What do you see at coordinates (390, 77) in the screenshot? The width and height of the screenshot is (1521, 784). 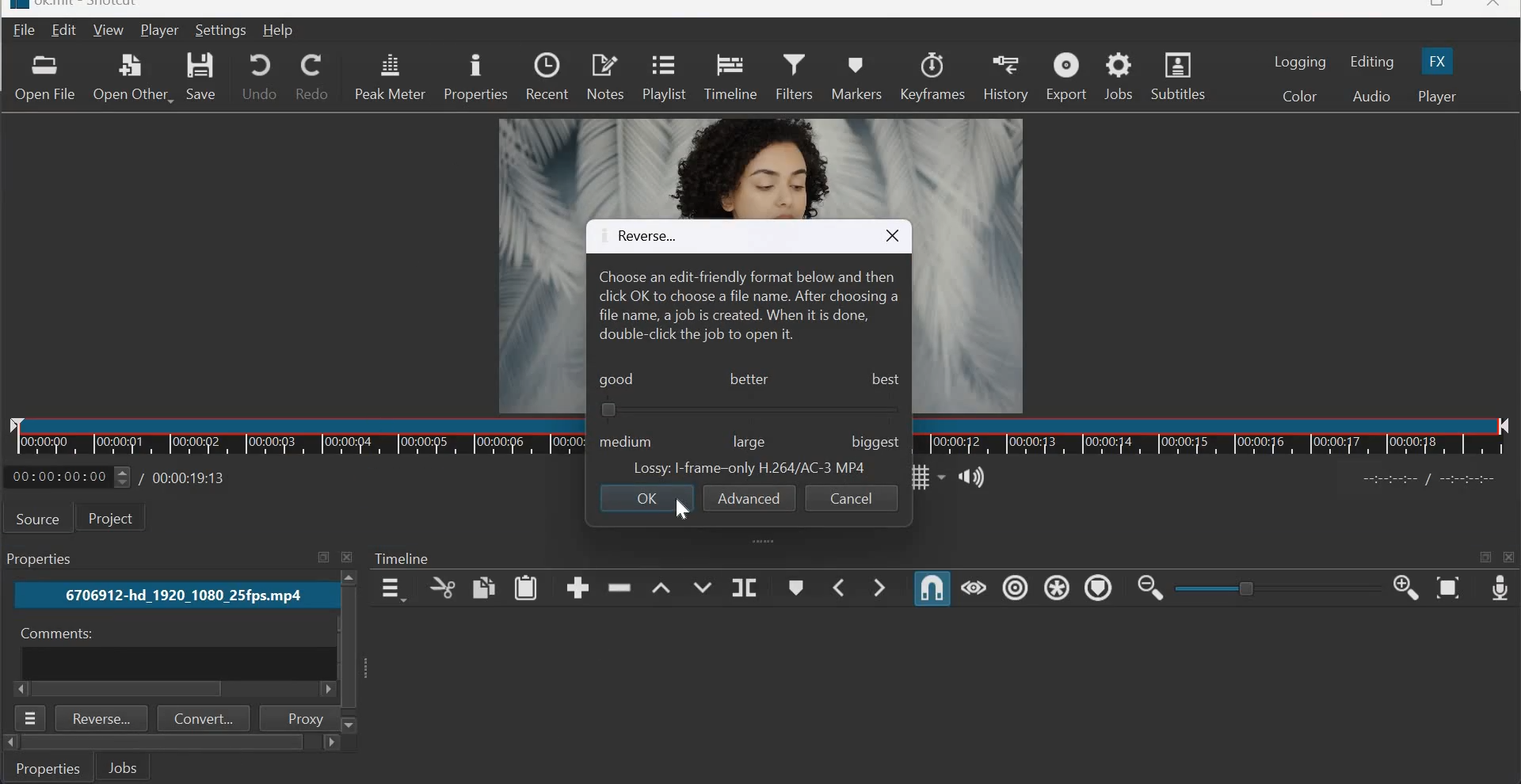 I see `Peak meter` at bounding box center [390, 77].